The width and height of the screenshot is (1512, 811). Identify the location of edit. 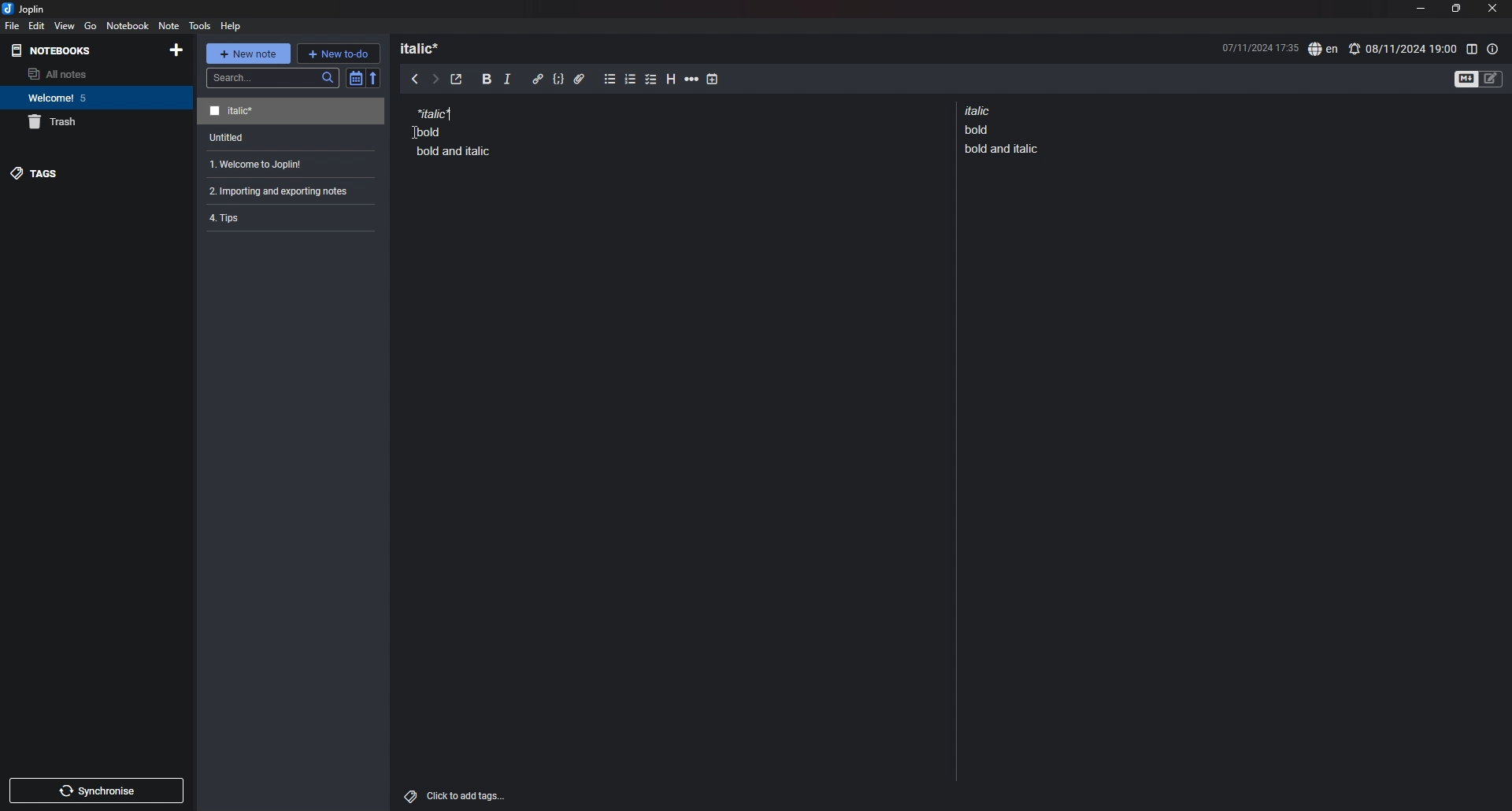
(37, 25).